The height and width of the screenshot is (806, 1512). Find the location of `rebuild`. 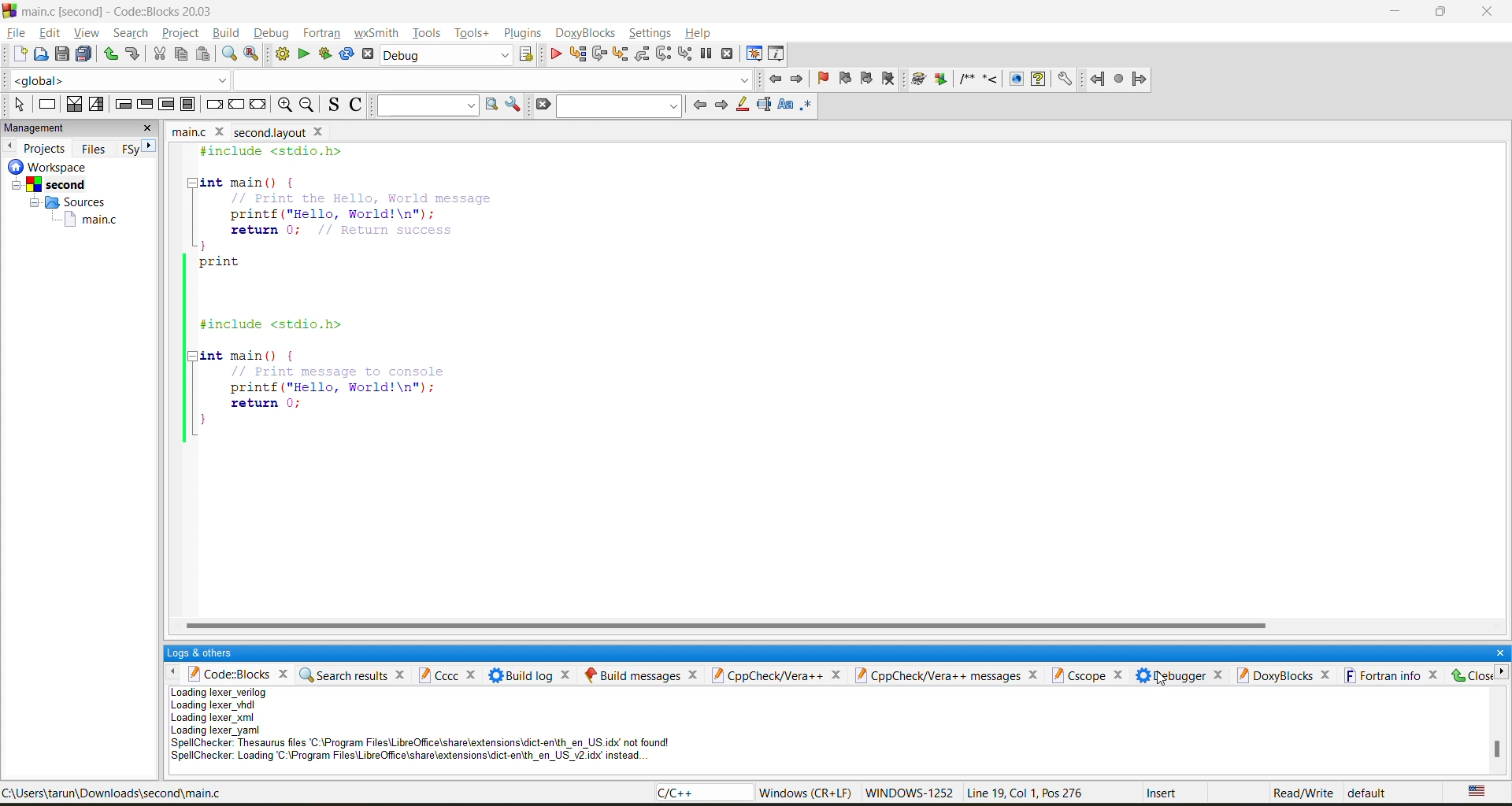

rebuild is located at coordinates (347, 55).